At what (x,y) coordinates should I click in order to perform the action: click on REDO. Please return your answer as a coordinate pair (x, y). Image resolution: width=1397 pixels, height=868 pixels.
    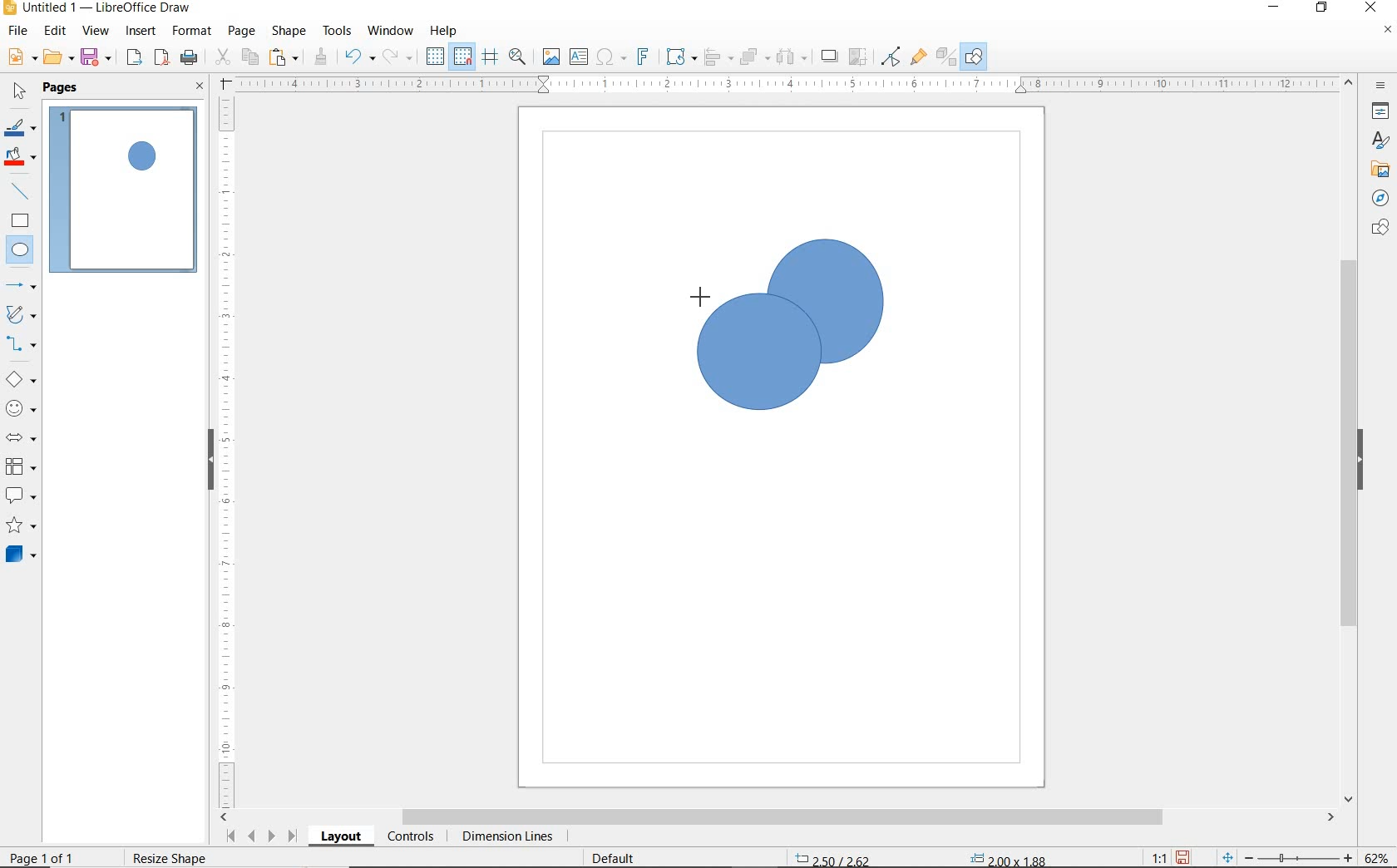
    Looking at the image, I should click on (398, 57).